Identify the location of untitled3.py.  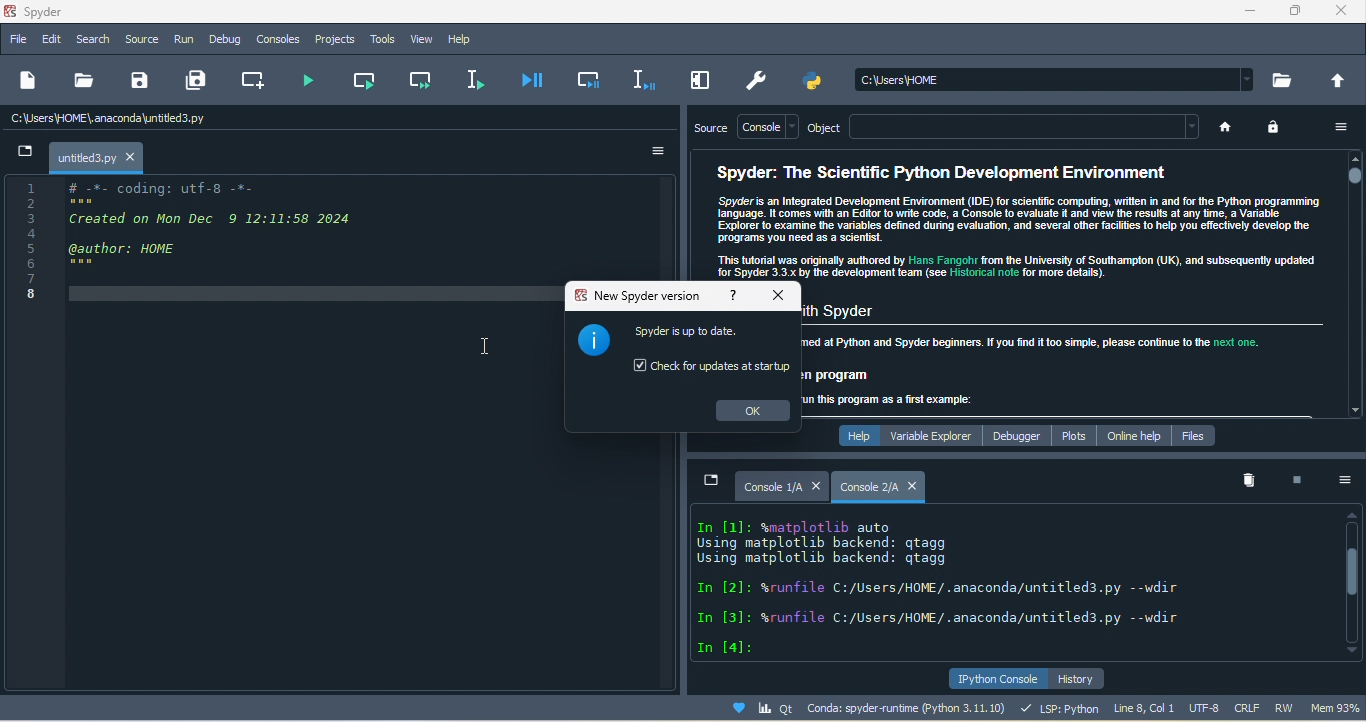
(84, 159).